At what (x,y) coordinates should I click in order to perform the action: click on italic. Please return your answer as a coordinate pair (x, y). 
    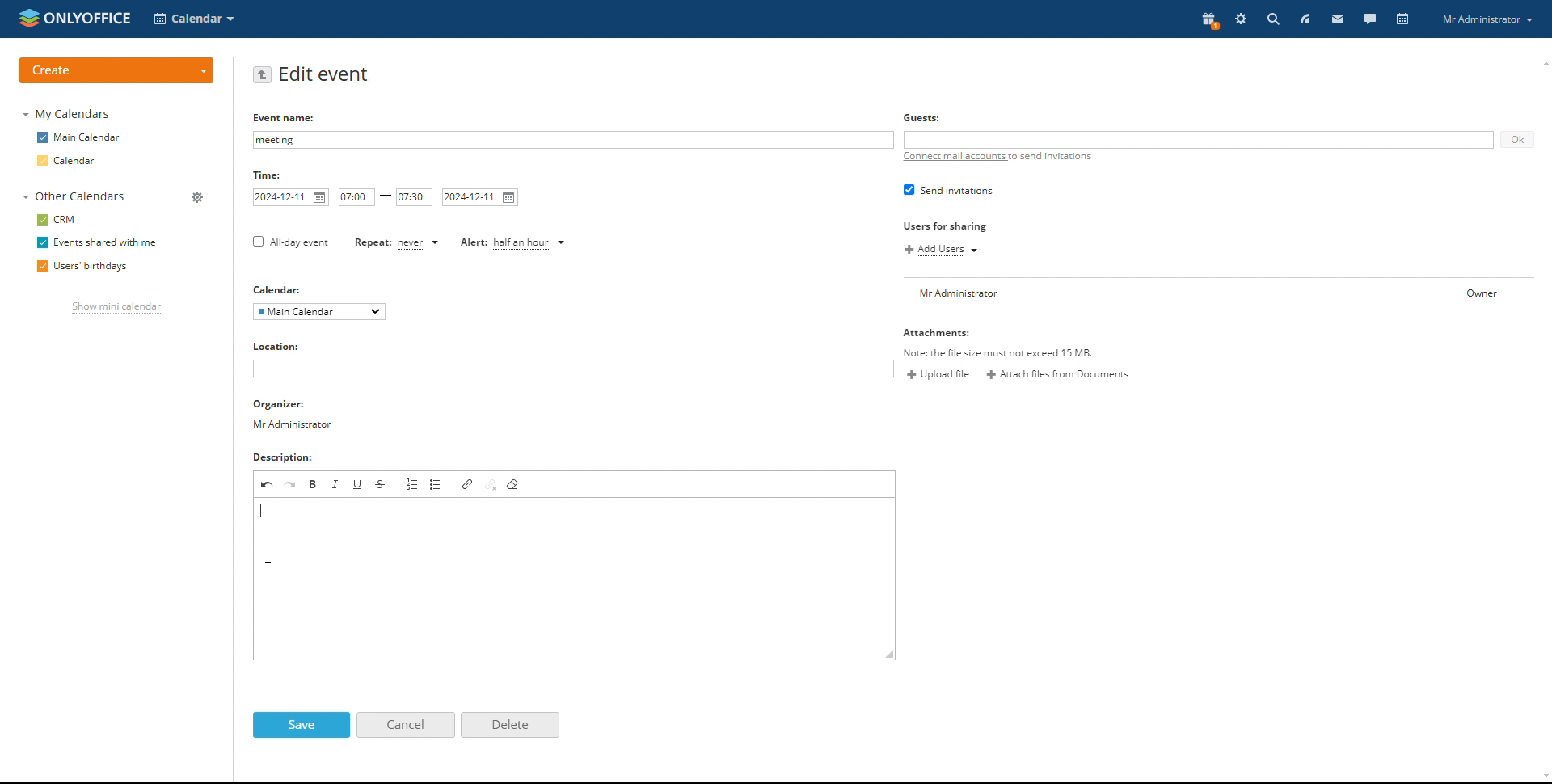
    Looking at the image, I should click on (336, 484).